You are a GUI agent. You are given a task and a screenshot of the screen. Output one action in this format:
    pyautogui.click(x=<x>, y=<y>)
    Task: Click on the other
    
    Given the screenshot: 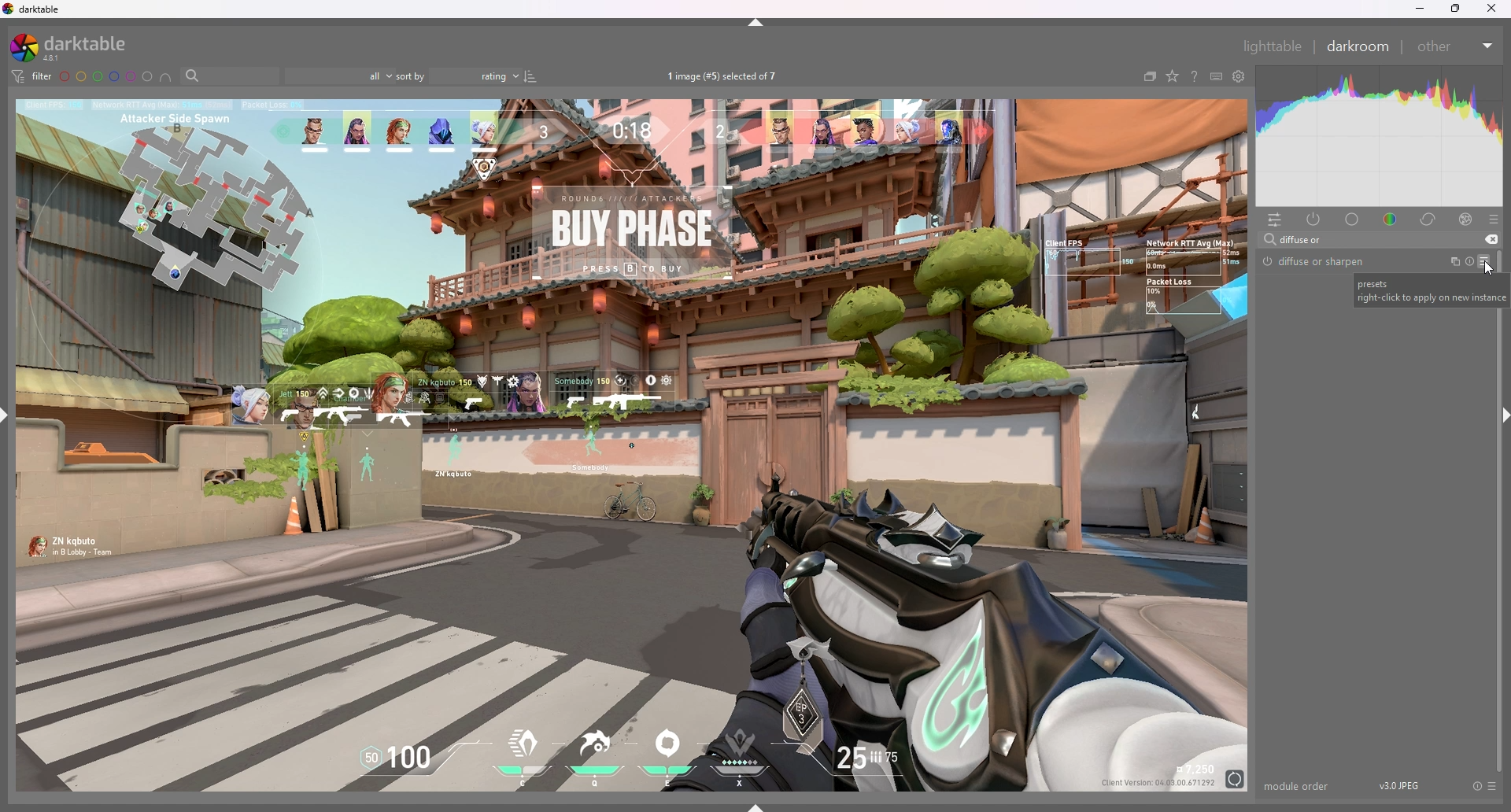 What is the action you would take?
    pyautogui.click(x=1457, y=46)
    